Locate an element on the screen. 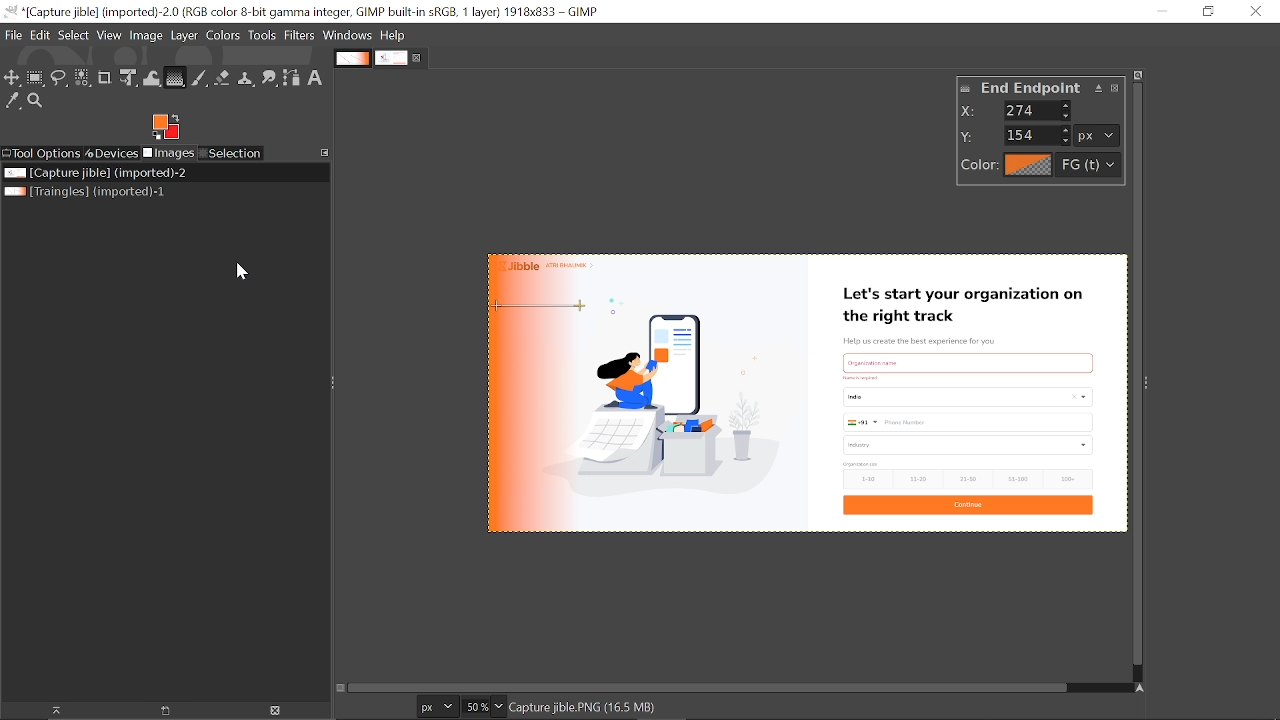 The width and height of the screenshot is (1280, 720). Colors is located at coordinates (225, 36).